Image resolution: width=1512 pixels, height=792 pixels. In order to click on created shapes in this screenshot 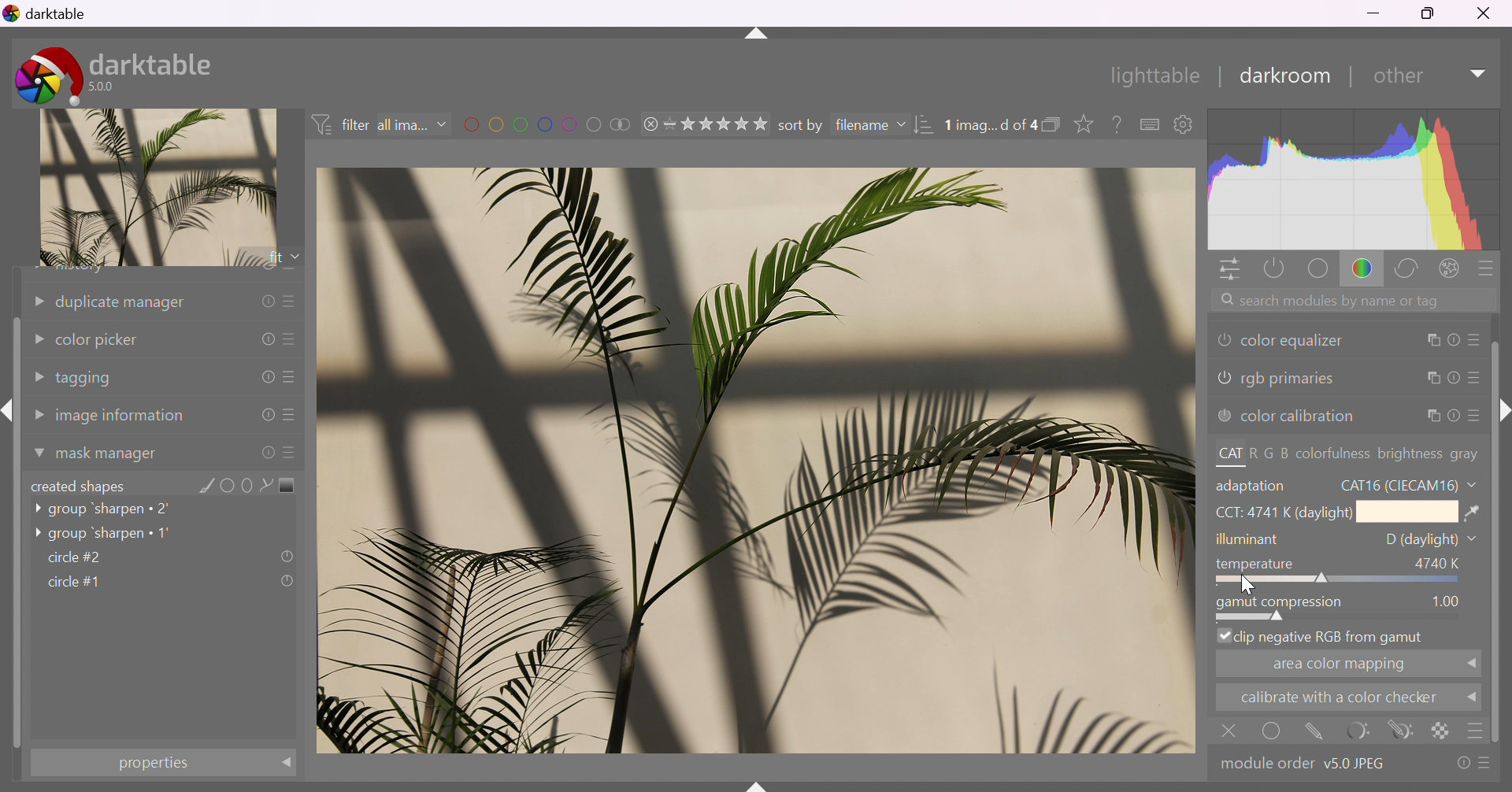, I will do `click(80, 489)`.